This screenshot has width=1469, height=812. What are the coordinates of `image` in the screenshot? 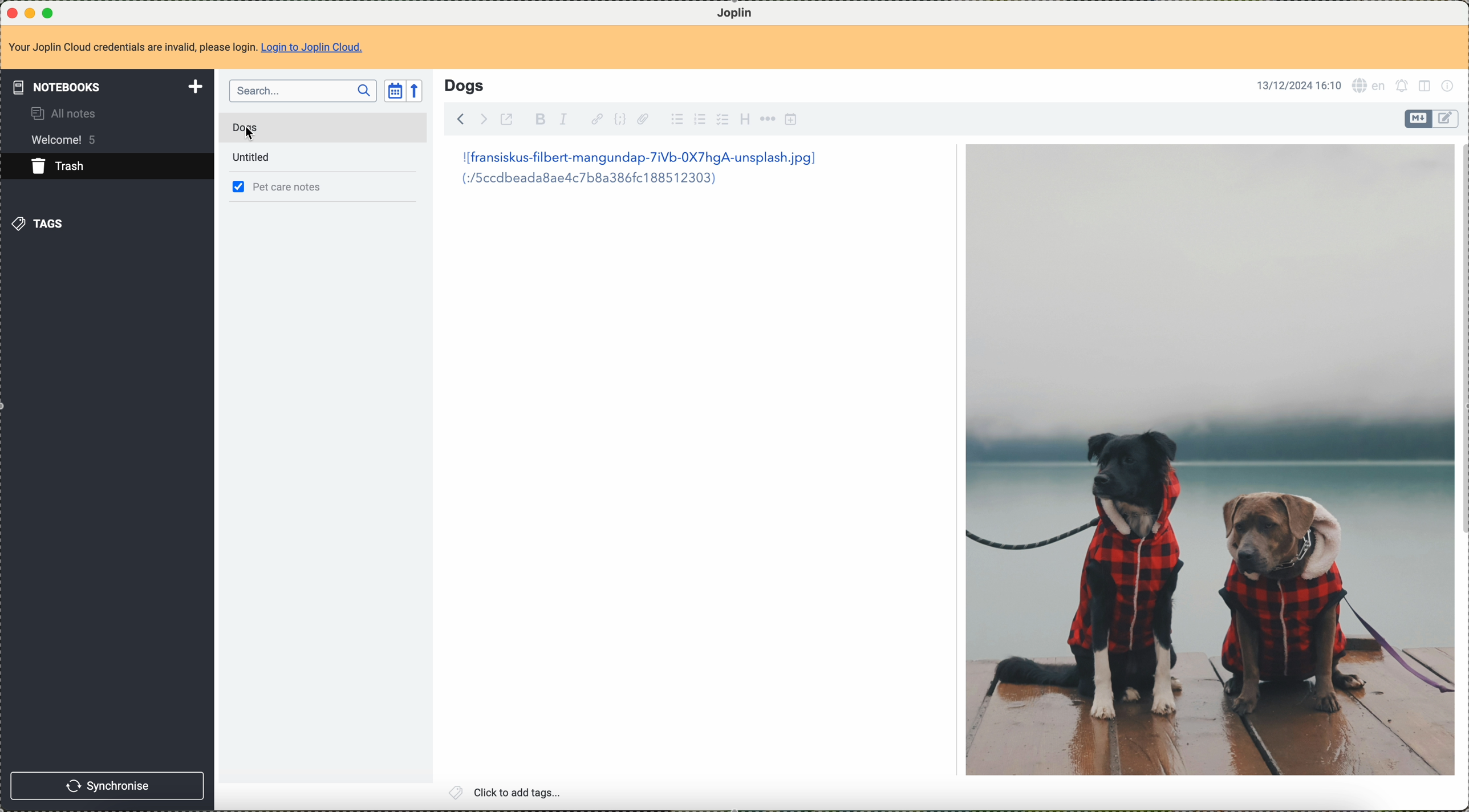 It's located at (1208, 460).